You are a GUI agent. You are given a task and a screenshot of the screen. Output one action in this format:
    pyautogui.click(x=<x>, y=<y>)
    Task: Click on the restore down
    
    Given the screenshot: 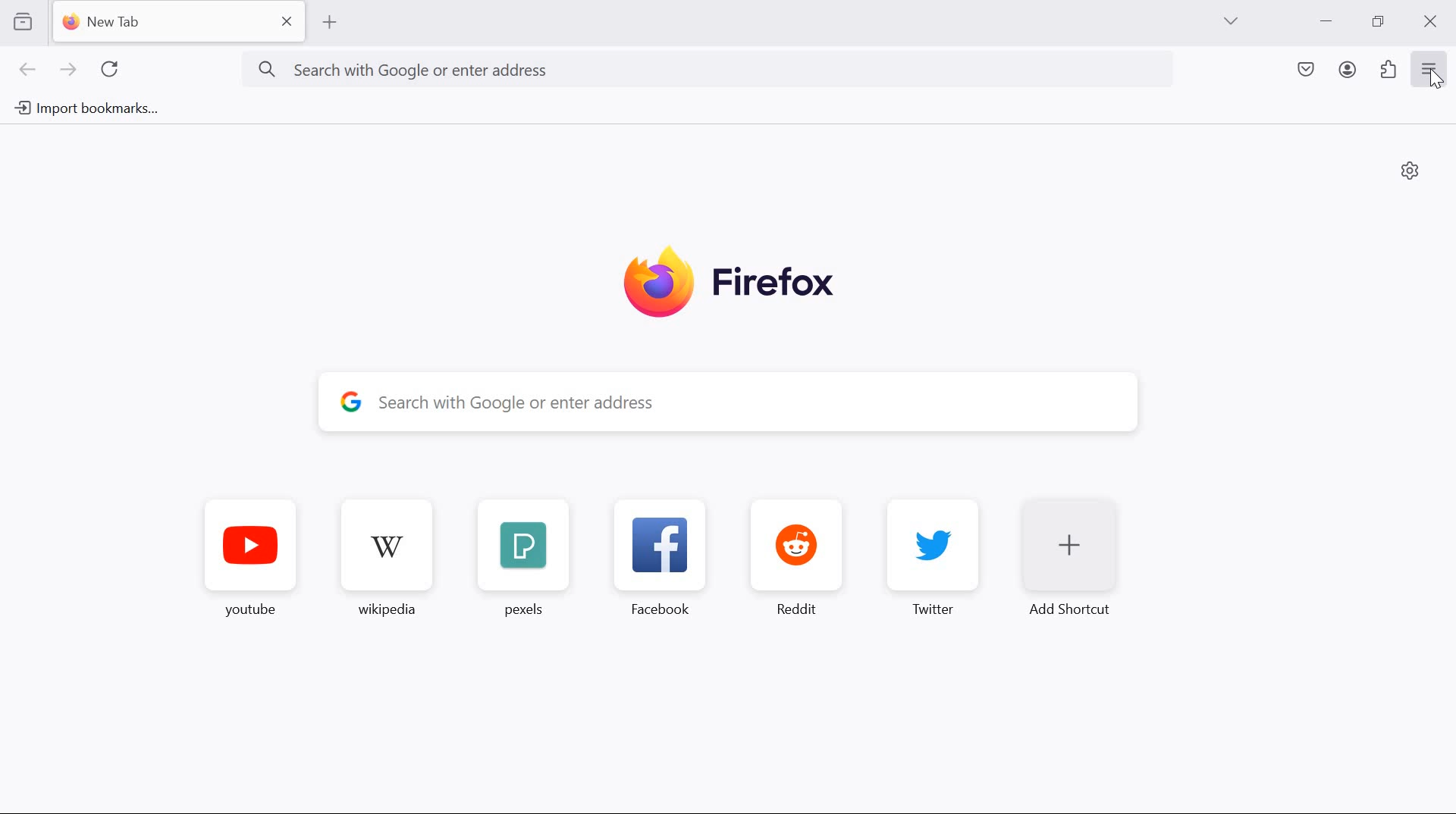 What is the action you would take?
    pyautogui.click(x=1379, y=20)
    